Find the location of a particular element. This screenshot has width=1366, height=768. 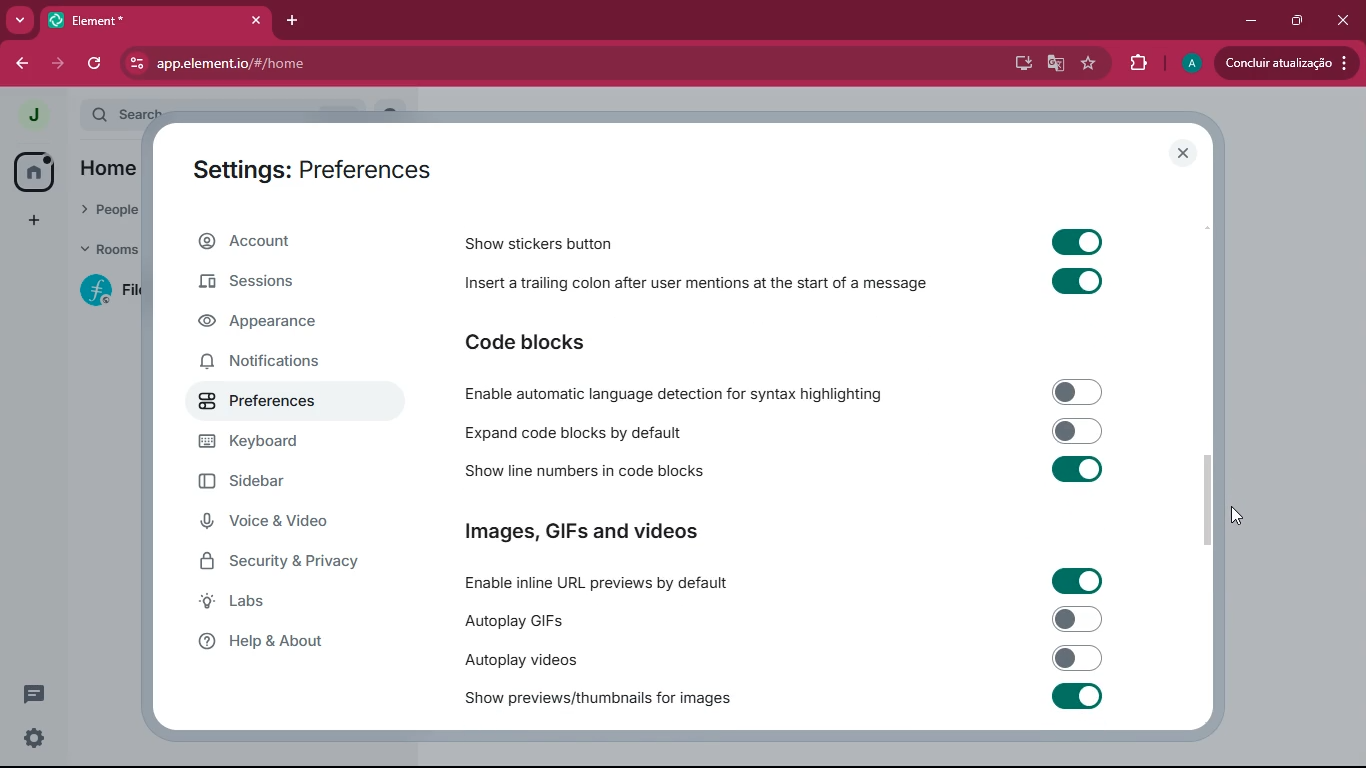

google translate is located at coordinates (1052, 66).